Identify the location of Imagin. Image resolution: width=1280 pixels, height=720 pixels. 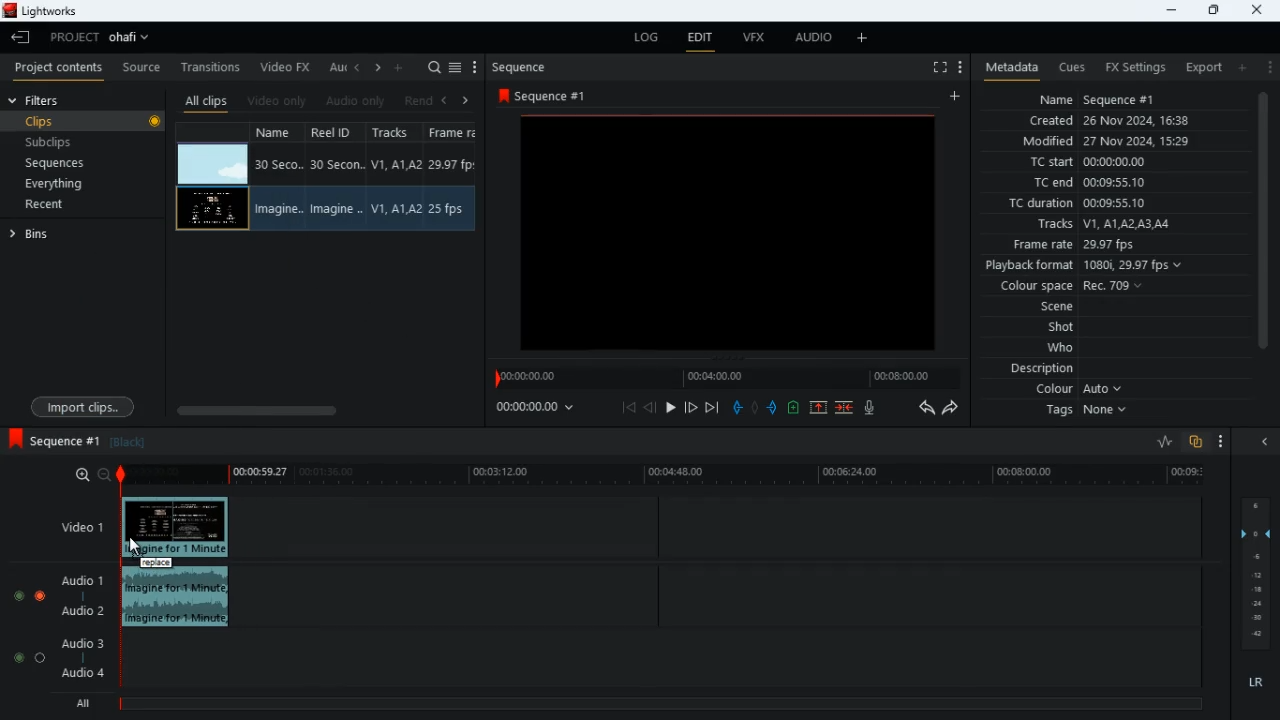
(334, 209).